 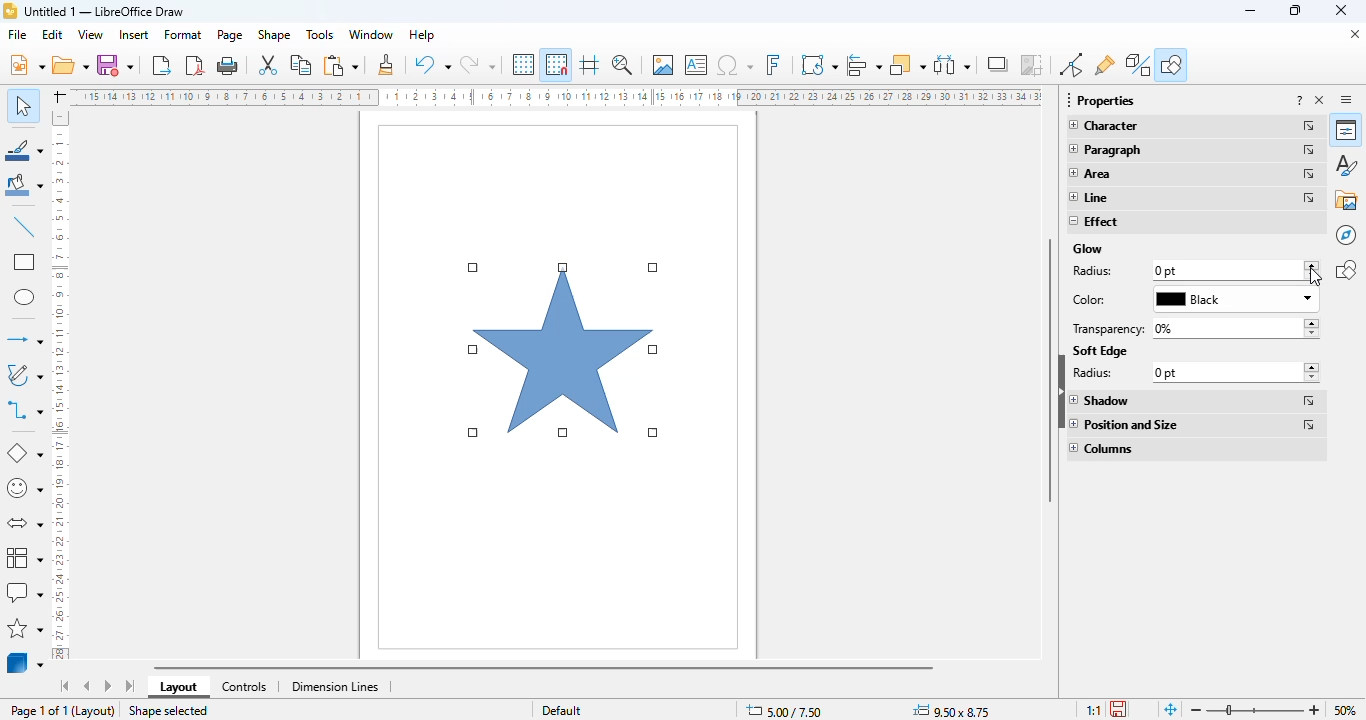 What do you see at coordinates (26, 65) in the screenshot?
I see `new` at bounding box center [26, 65].